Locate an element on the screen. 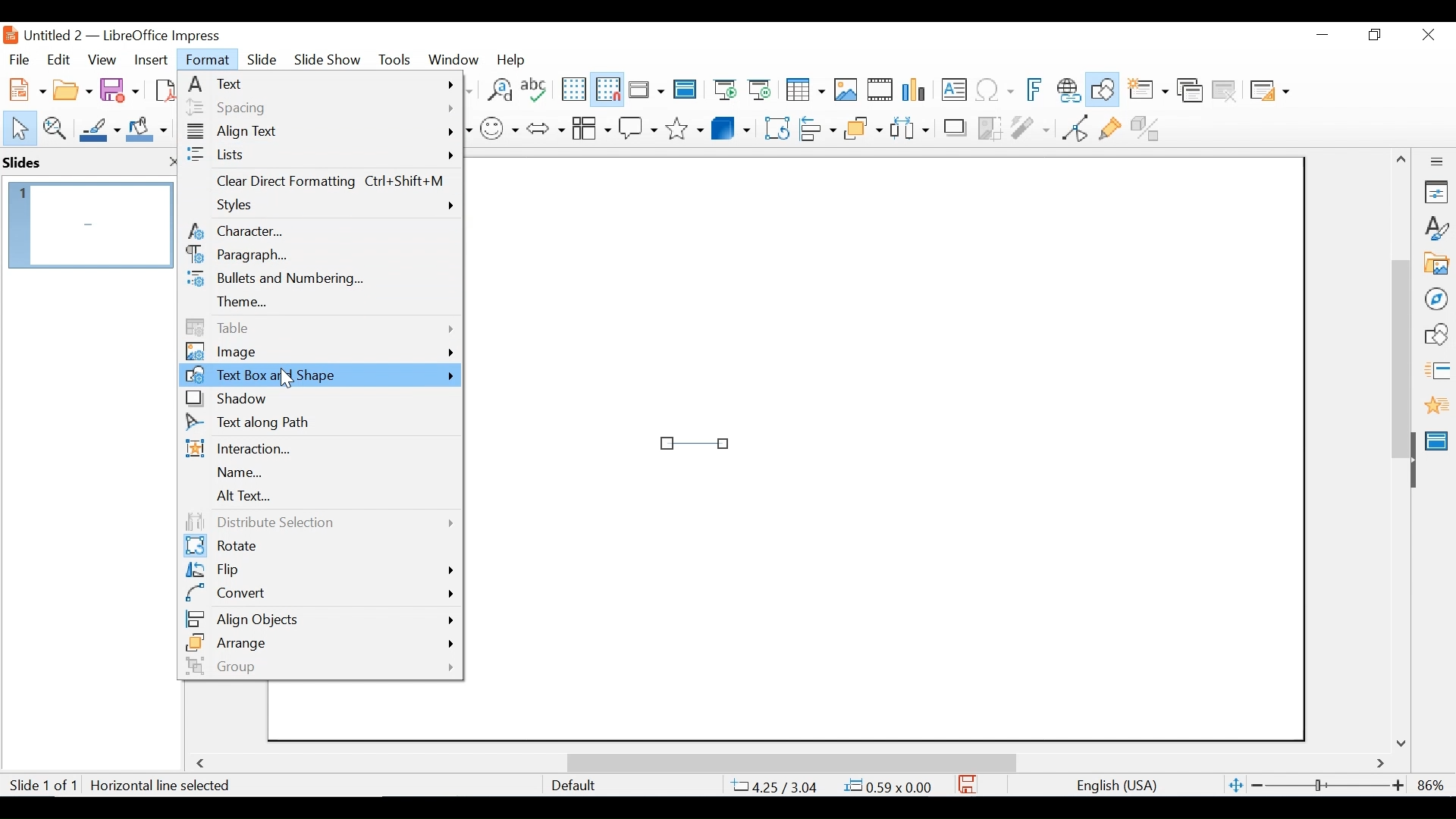  Minimize is located at coordinates (1321, 35).